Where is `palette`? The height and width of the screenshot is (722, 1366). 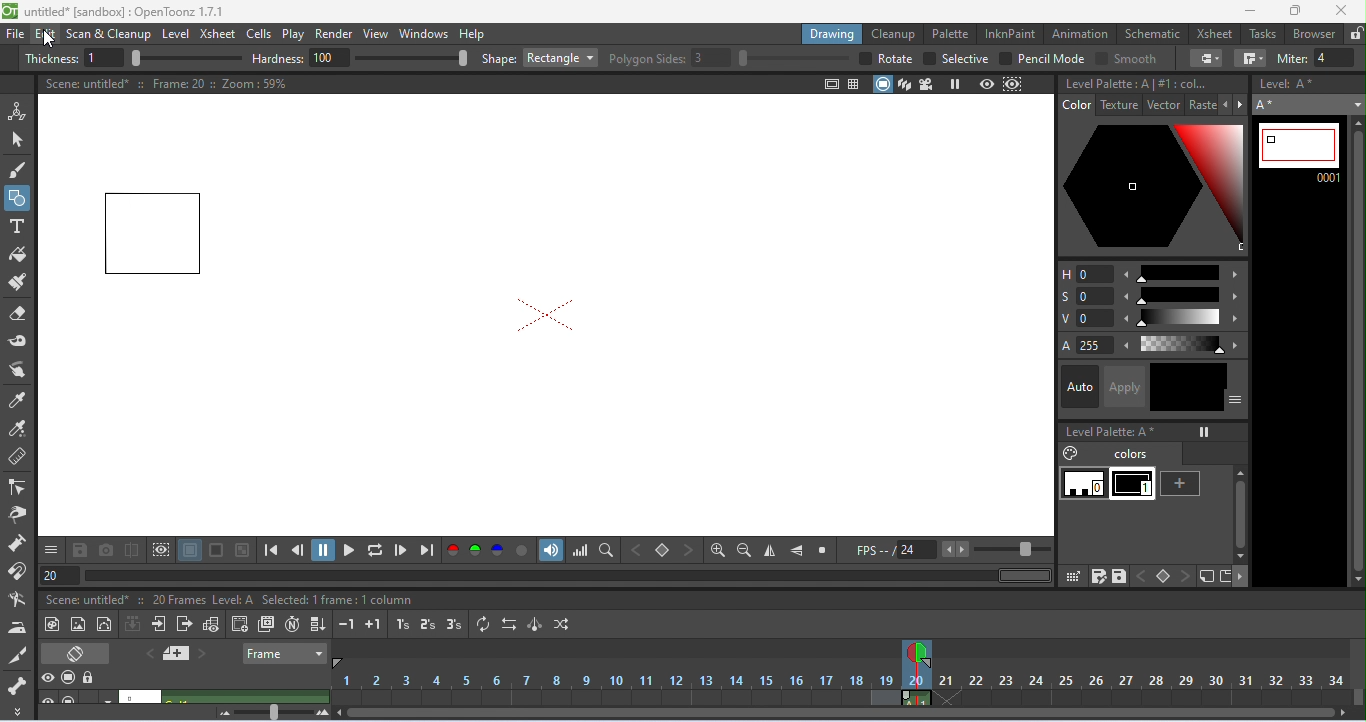
palette is located at coordinates (948, 33).